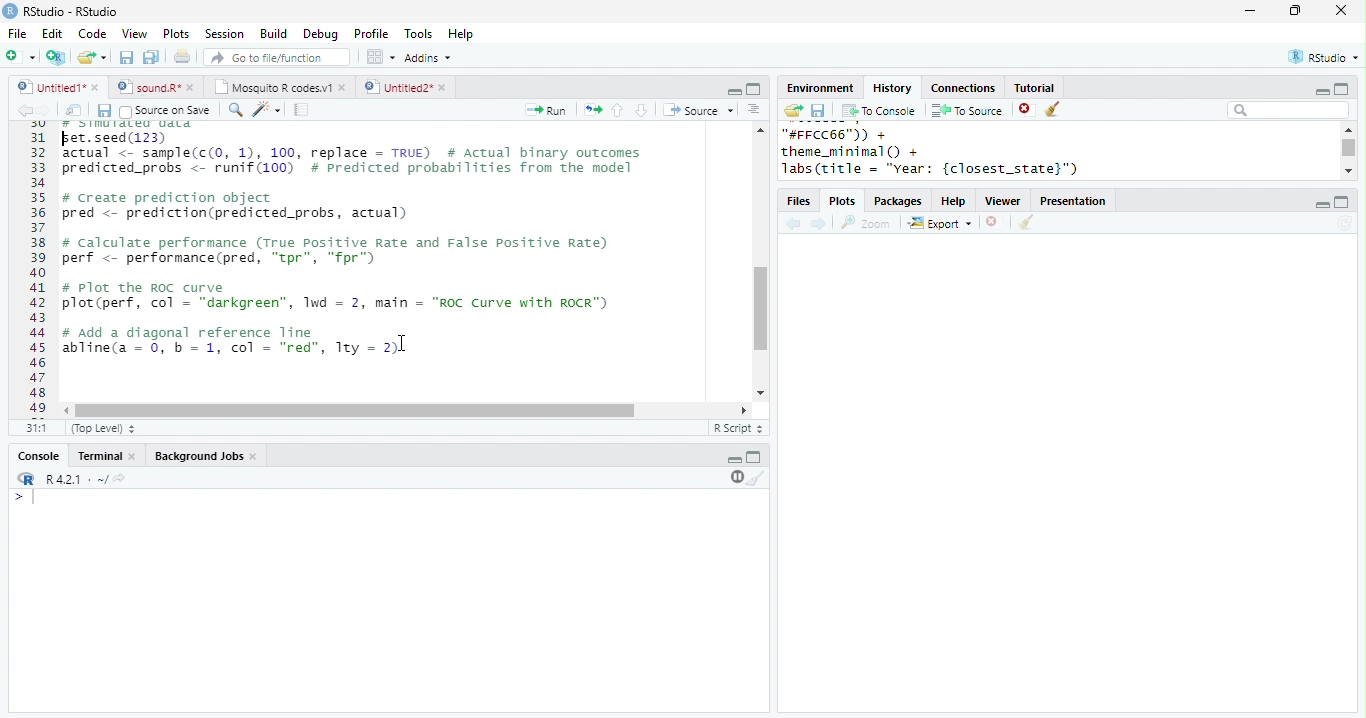 This screenshot has height=718, width=1366. Describe the element at coordinates (397, 86) in the screenshot. I see `Untitled 2` at that location.